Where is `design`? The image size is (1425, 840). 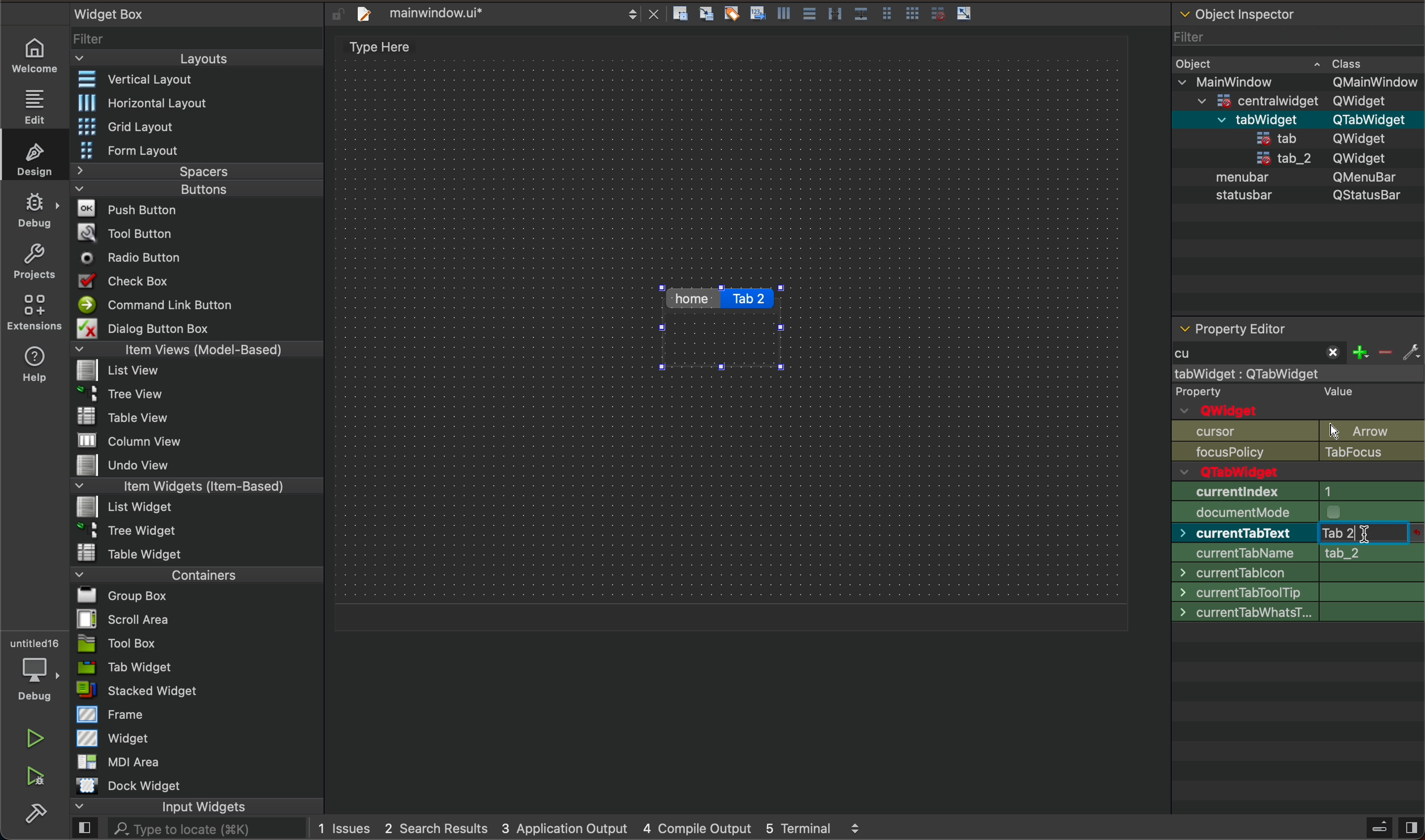
design is located at coordinates (34, 156).